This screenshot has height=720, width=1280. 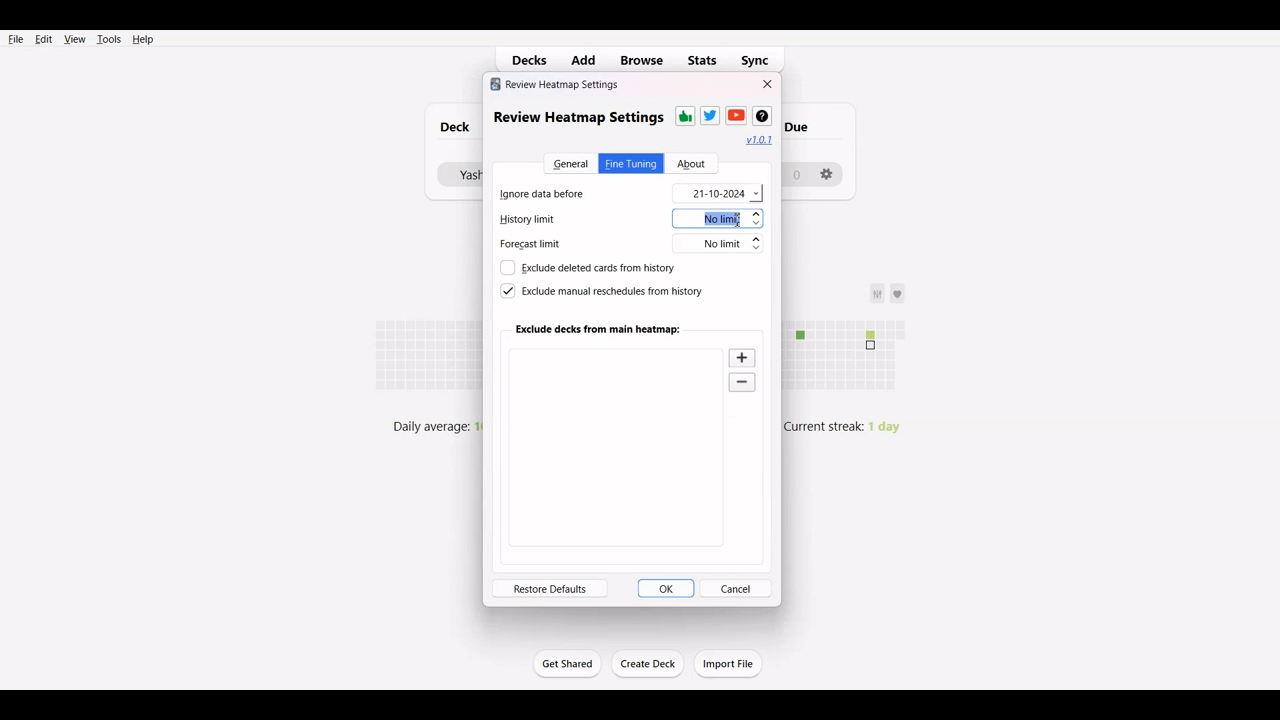 What do you see at coordinates (850, 426) in the screenshot?
I see `Current streak: 1 day` at bounding box center [850, 426].